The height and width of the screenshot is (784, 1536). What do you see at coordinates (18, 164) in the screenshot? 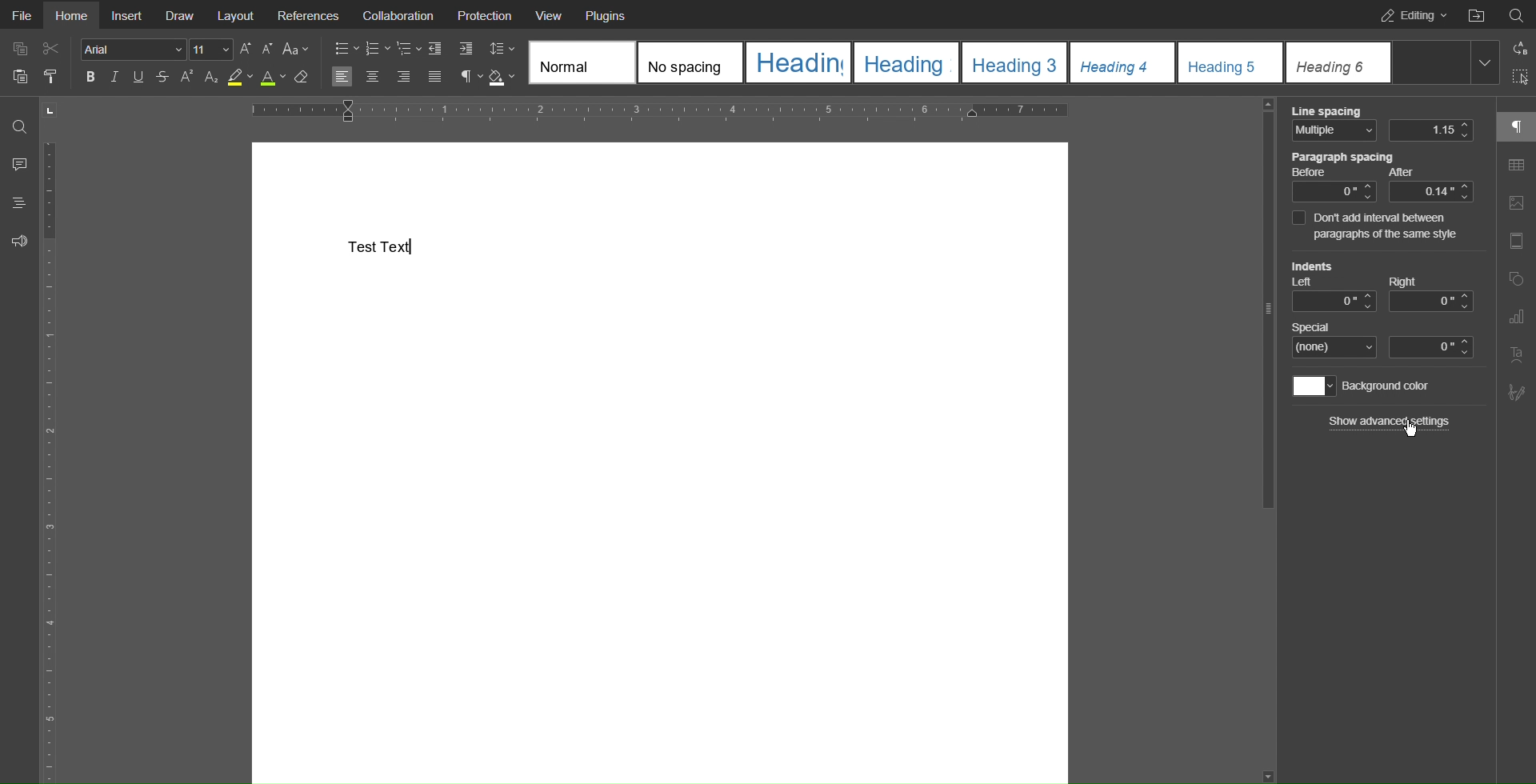
I see `Comment` at bounding box center [18, 164].